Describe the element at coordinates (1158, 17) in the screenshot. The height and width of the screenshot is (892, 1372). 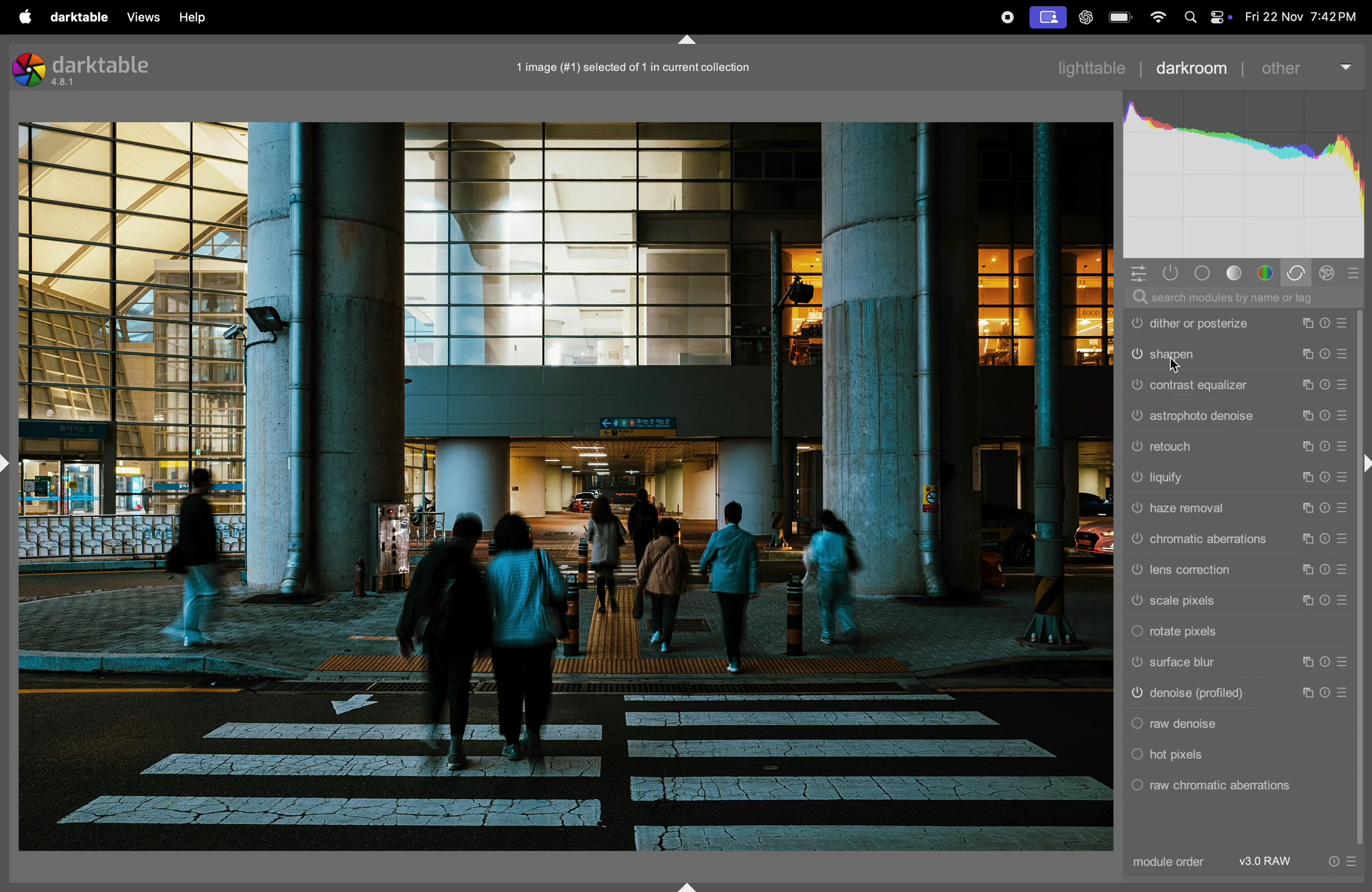
I see `wifi` at that location.